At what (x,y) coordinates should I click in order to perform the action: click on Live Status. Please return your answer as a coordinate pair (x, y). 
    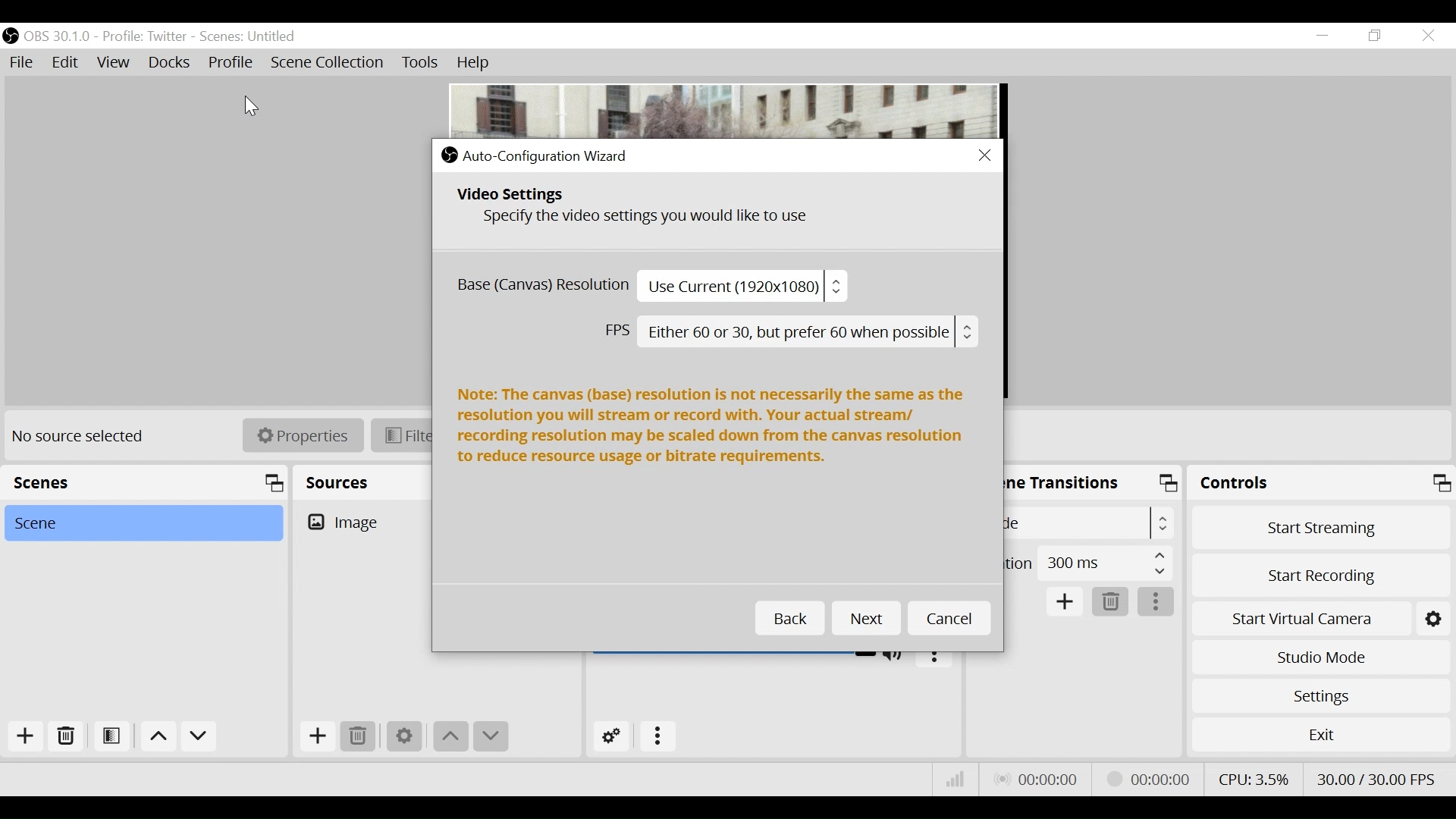
    Looking at the image, I should click on (1040, 778).